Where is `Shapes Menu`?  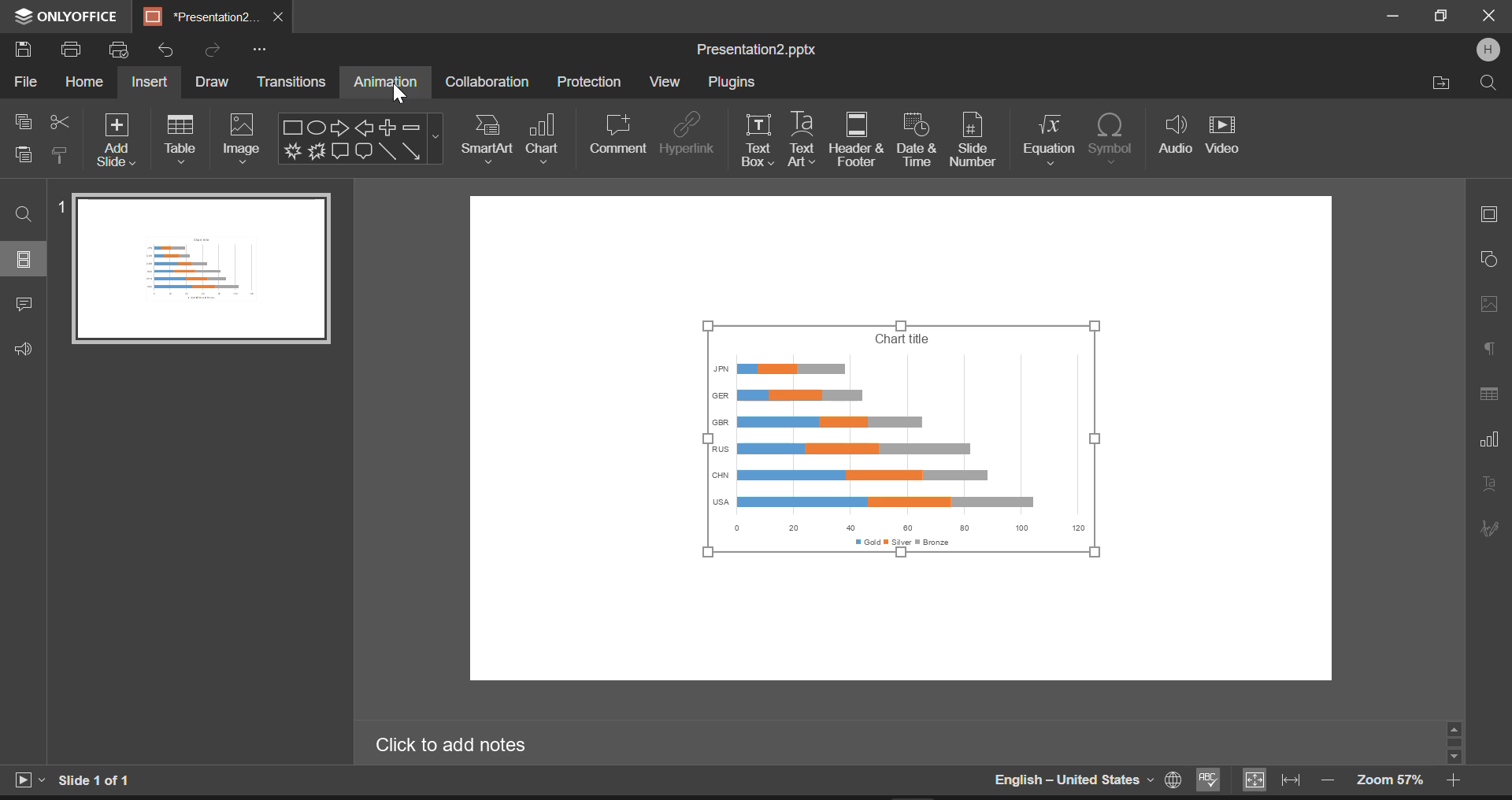
Shapes Menu is located at coordinates (435, 138).